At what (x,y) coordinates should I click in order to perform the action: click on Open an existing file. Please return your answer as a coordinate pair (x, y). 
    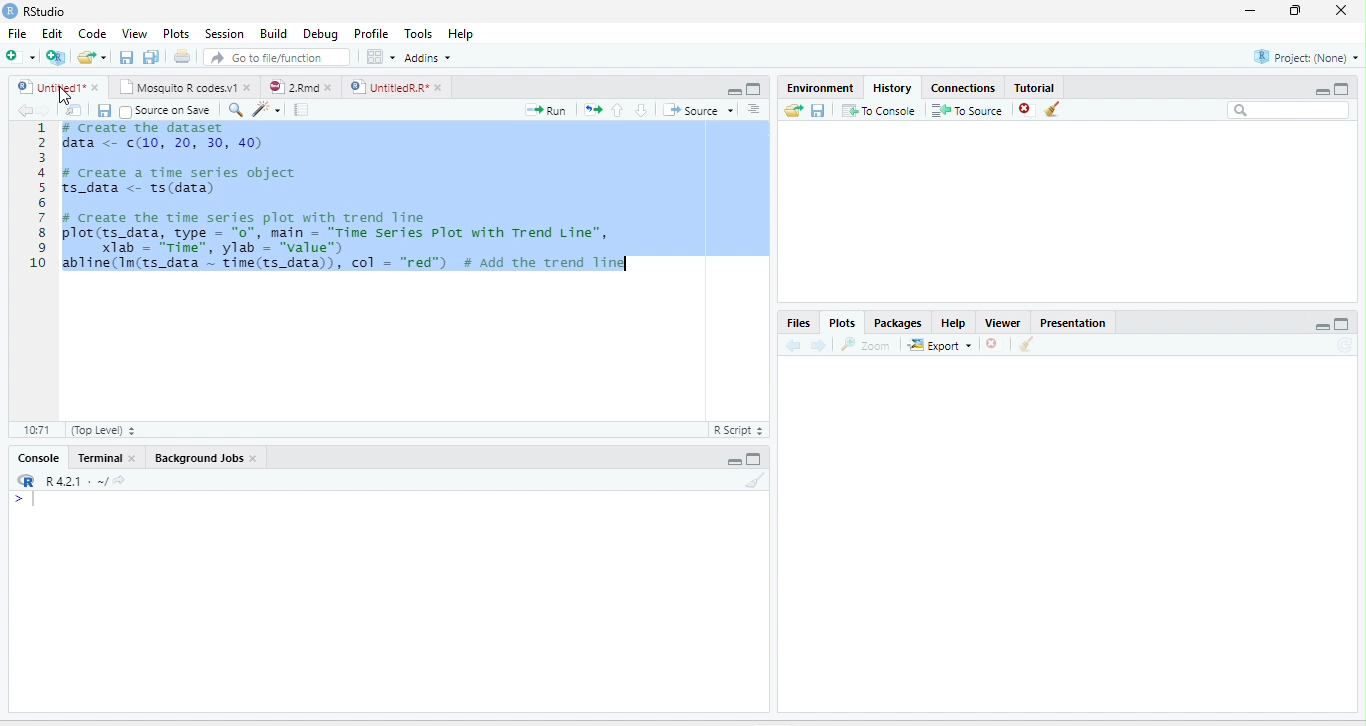
    Looking at the image, I should click on (86, 56).